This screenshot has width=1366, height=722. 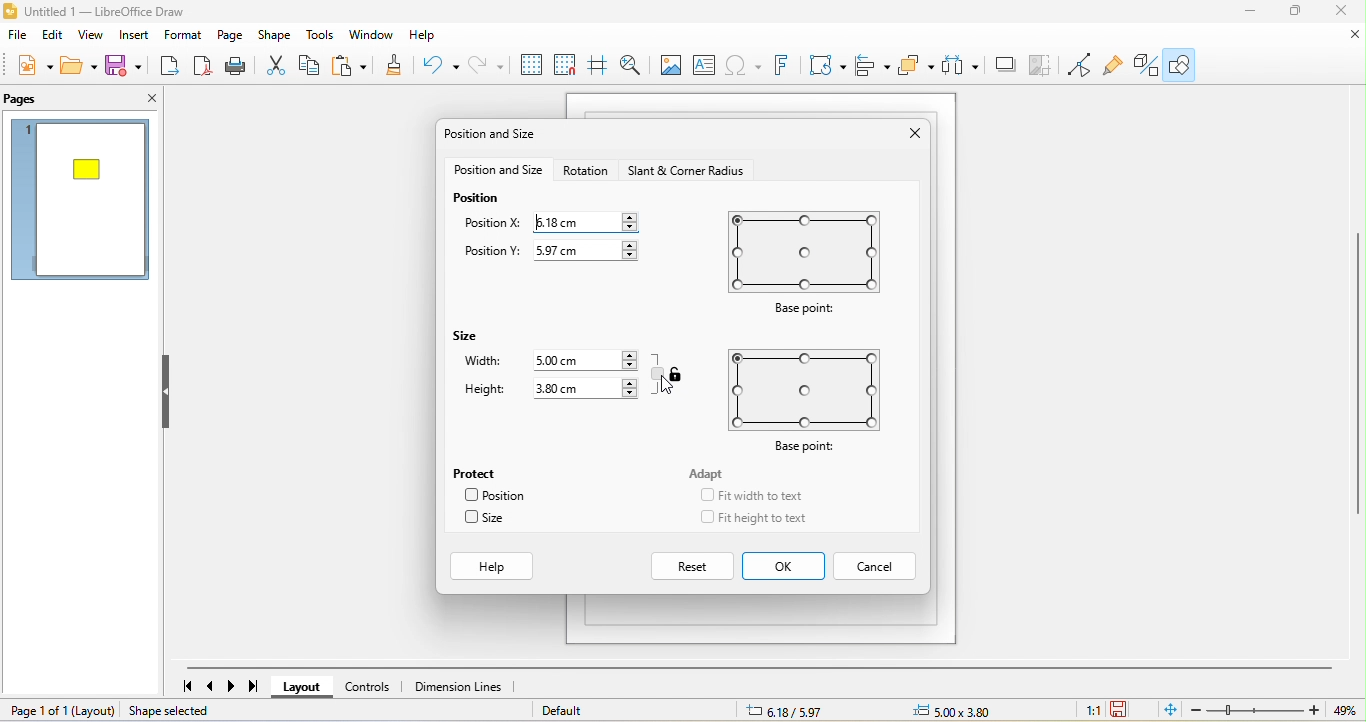 I want to click on maximize, so click(x=1293, y=13).